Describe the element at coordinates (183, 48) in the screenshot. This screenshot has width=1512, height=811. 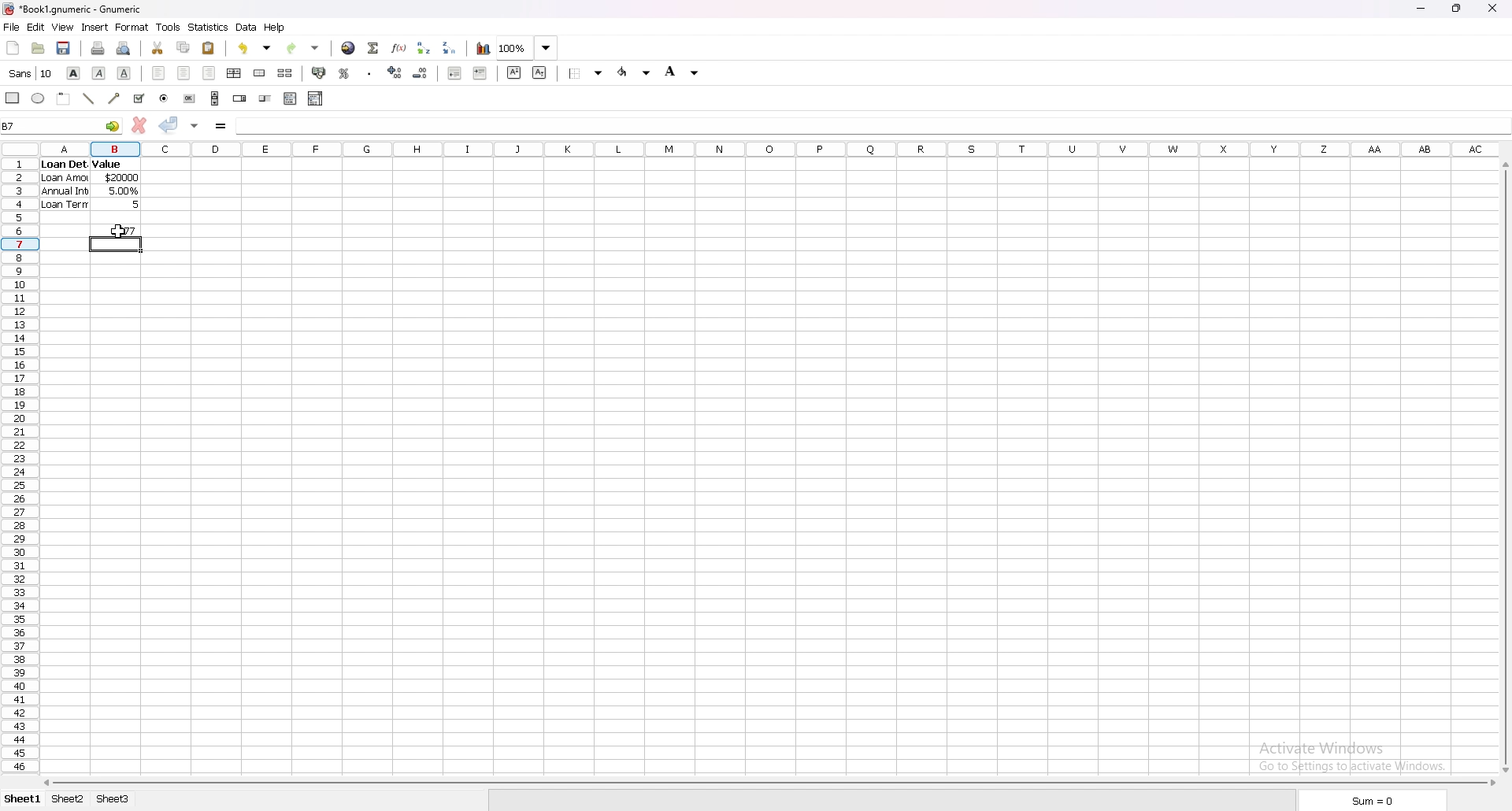
I see `copy` at that location.